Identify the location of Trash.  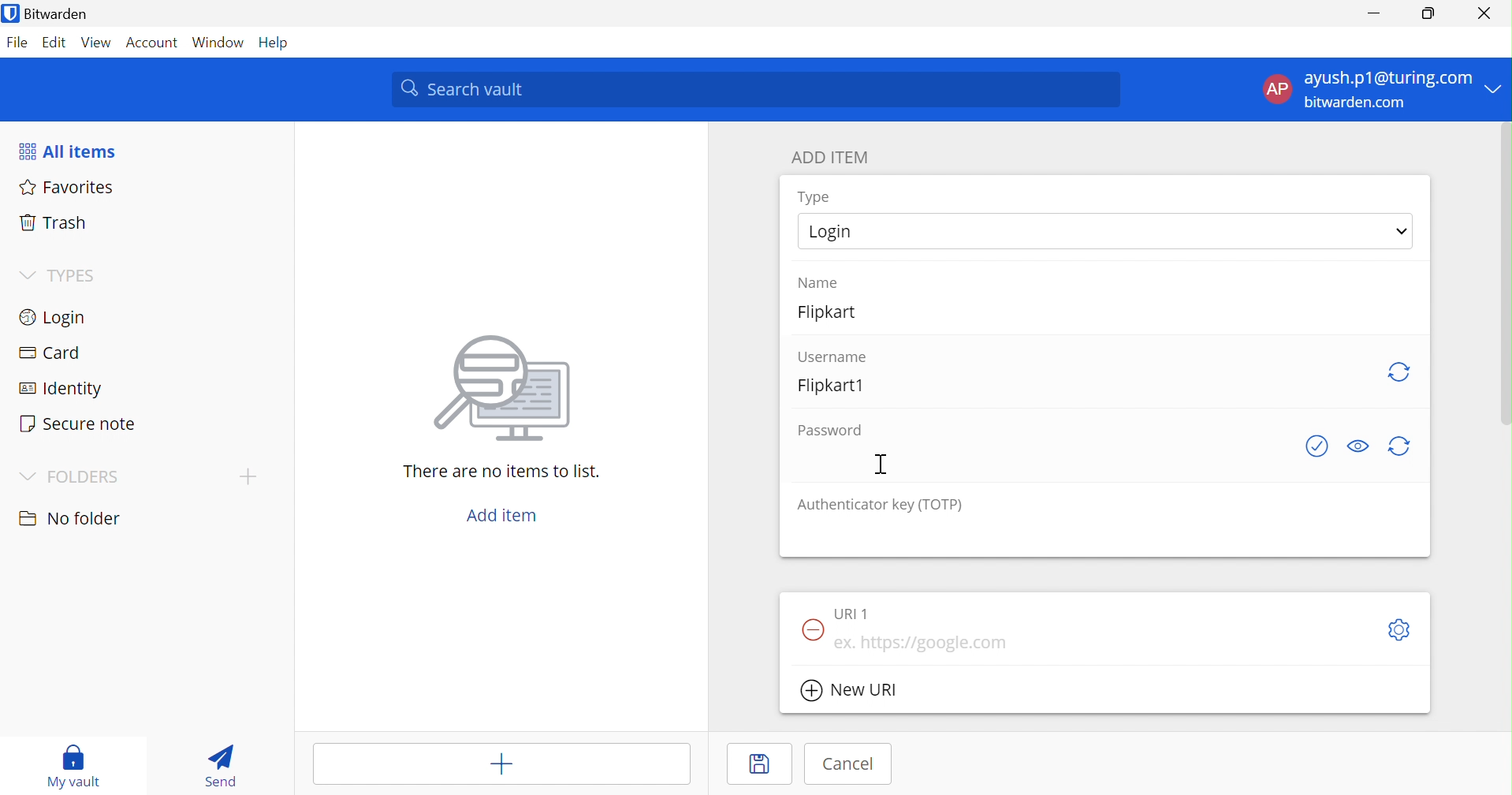
(50, 223).